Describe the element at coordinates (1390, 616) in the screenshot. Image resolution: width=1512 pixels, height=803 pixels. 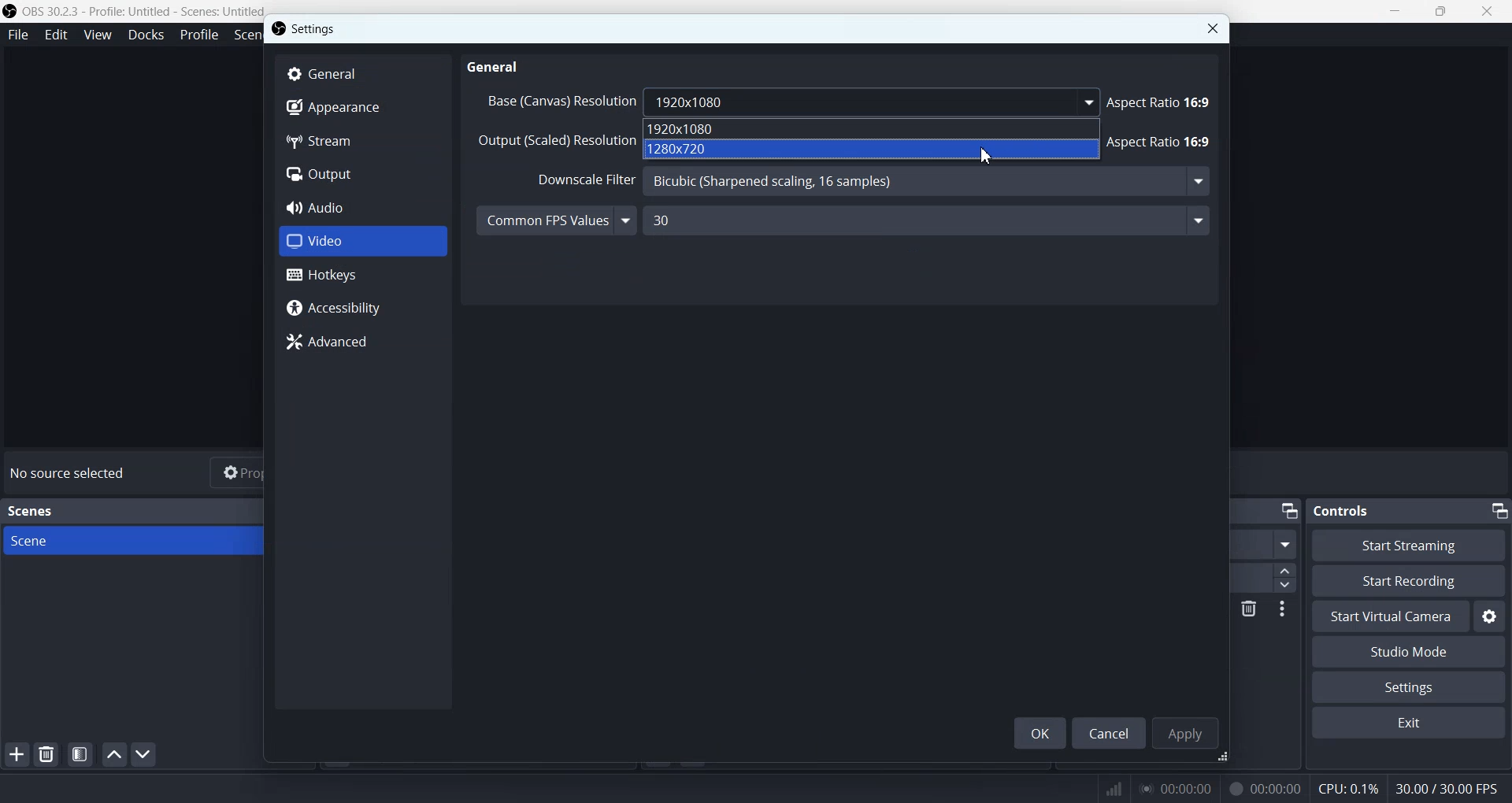
I see `Start Virtual Camera` at that location.